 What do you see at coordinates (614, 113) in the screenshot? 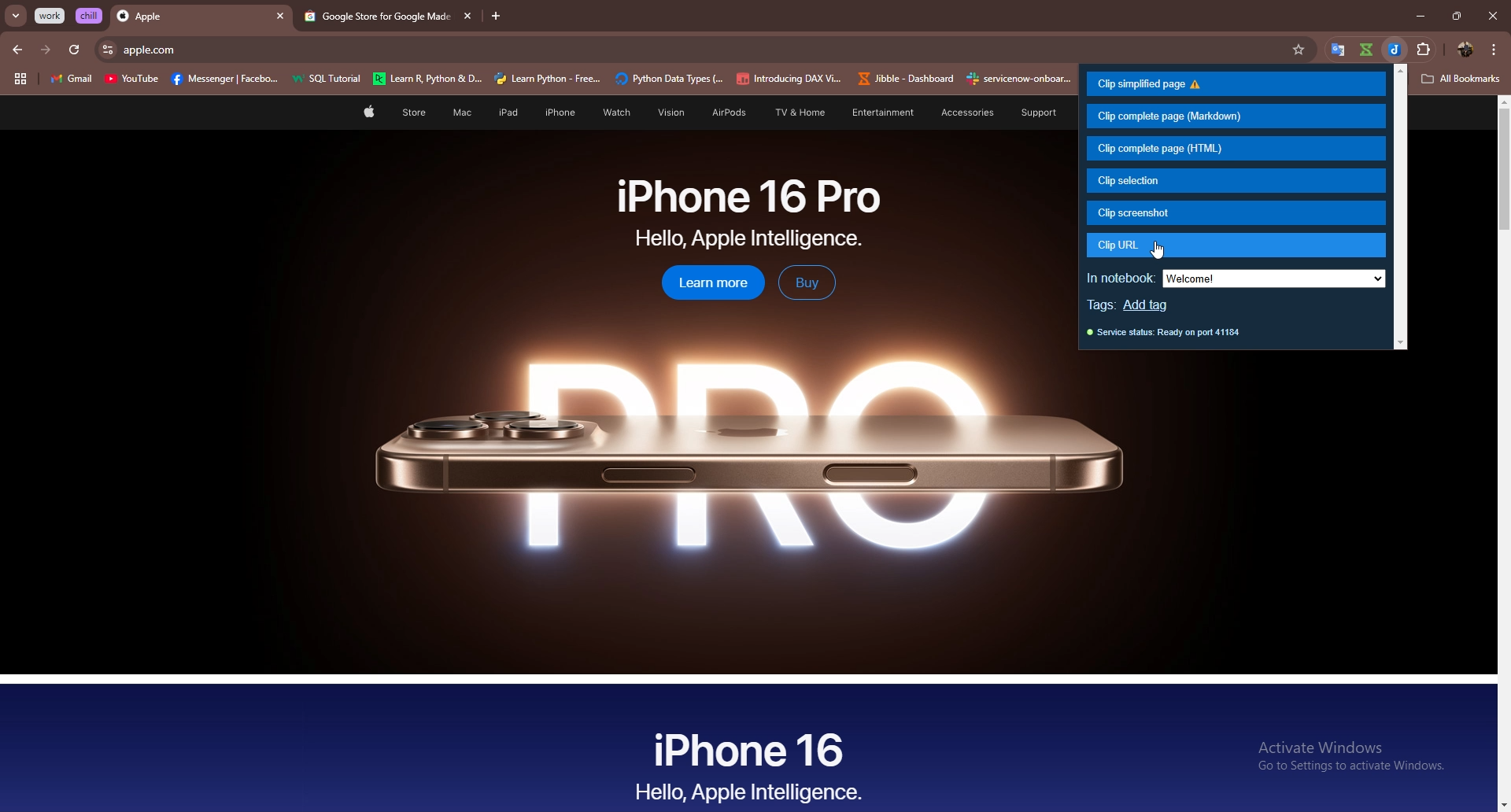
I see `Watch` at bounding box center [614, 113].